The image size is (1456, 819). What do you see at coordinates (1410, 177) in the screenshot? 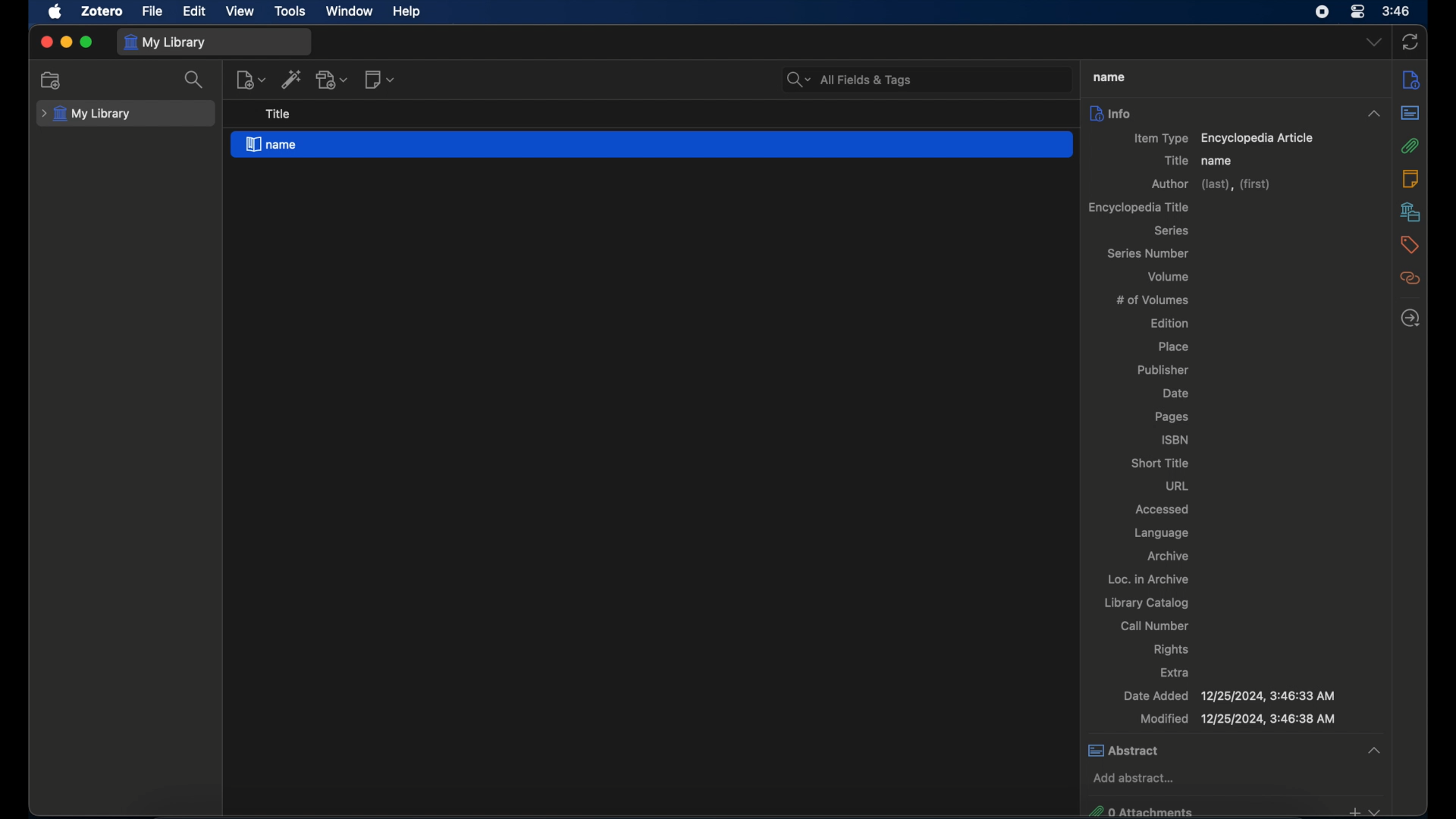
I see `notes` at bounding box center [1410, 177].